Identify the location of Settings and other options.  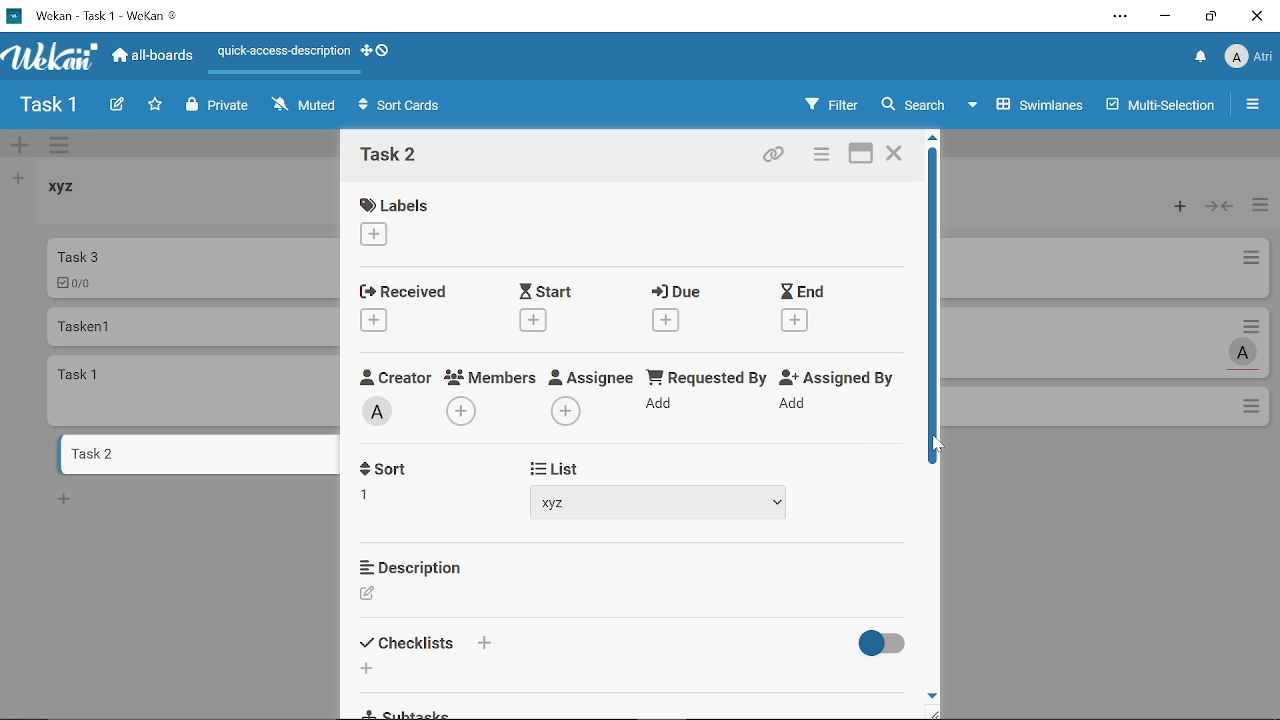
(1122, 18).